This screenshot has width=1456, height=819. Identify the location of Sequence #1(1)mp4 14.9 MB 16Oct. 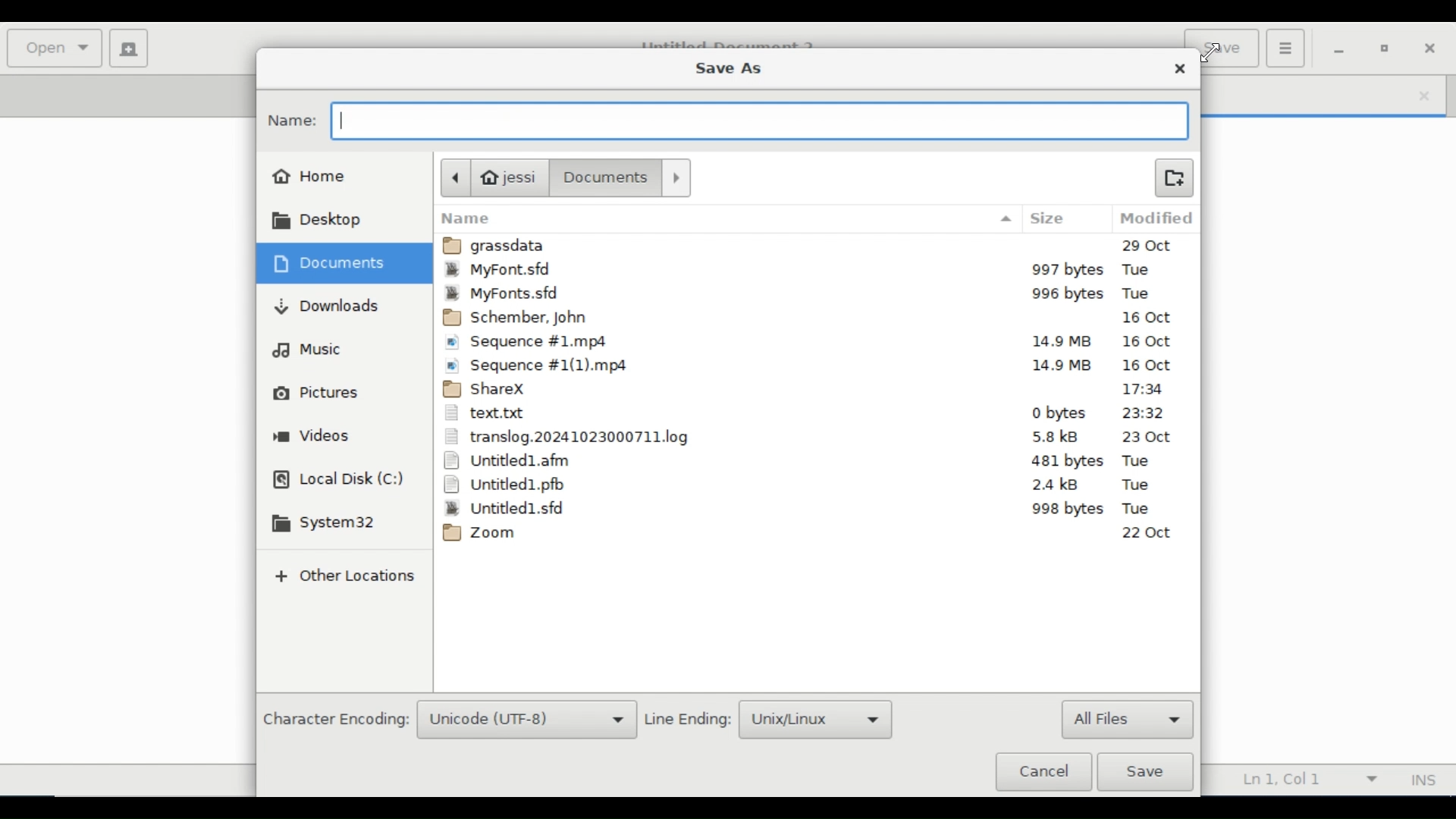
(814, 365).